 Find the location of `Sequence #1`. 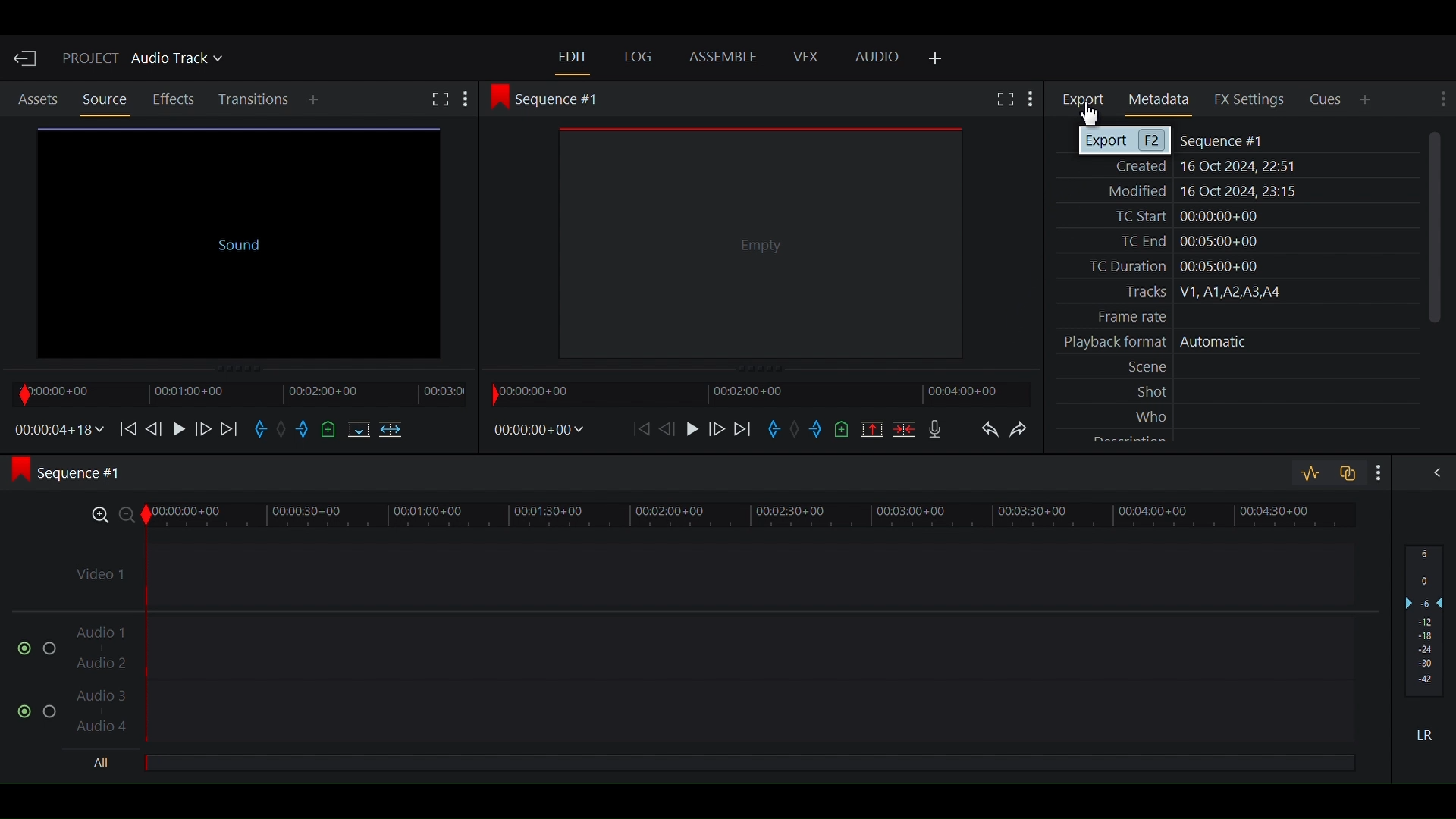

Sequence #1 is located at coordinates (77, 474).